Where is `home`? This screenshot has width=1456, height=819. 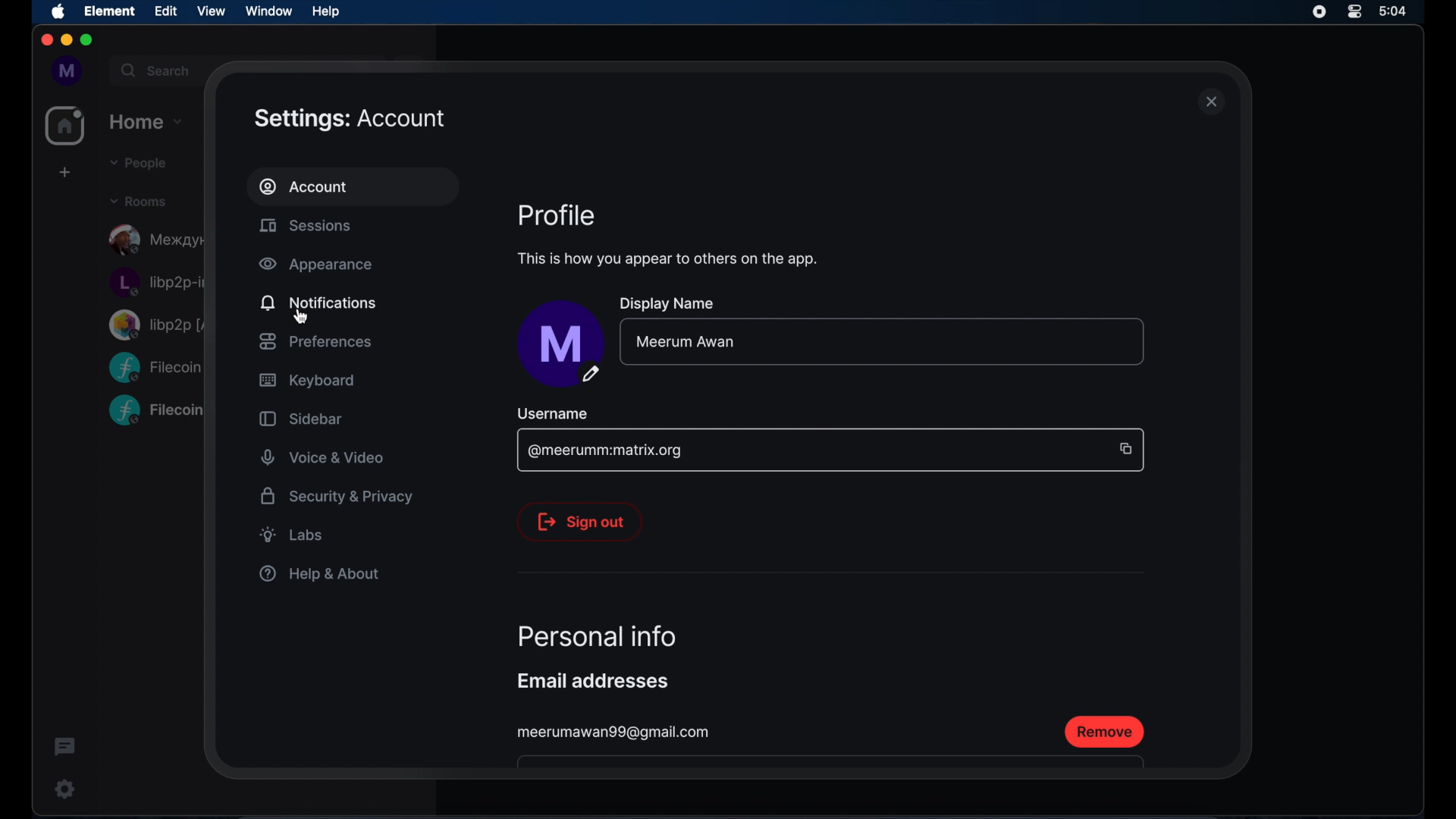 home is located at coordinates (147, 120).